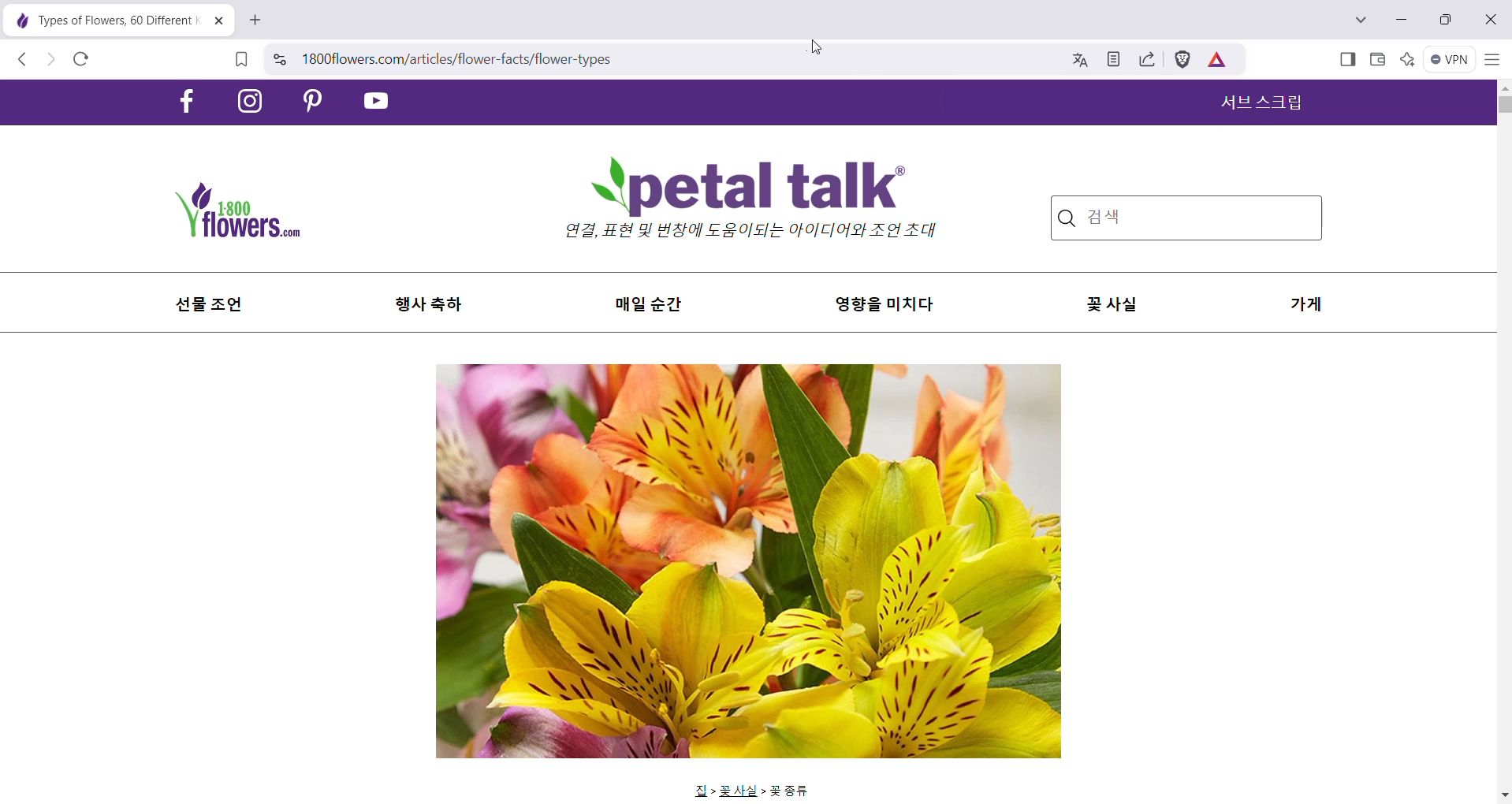  I want to click on Turn on Speedreader, so click(1112, 60).